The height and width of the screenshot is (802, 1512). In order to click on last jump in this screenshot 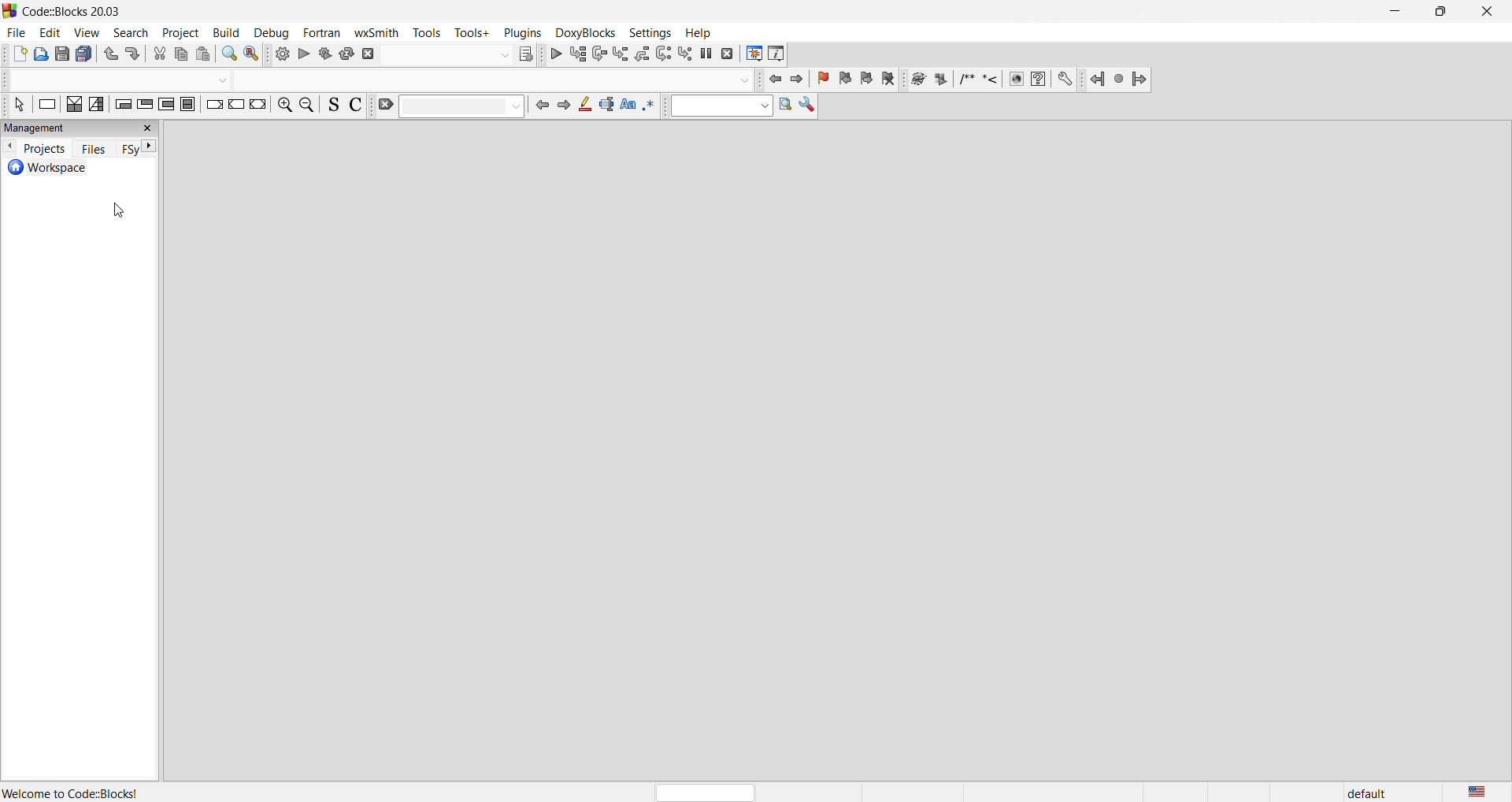, I will do `click(1117, 81)`.